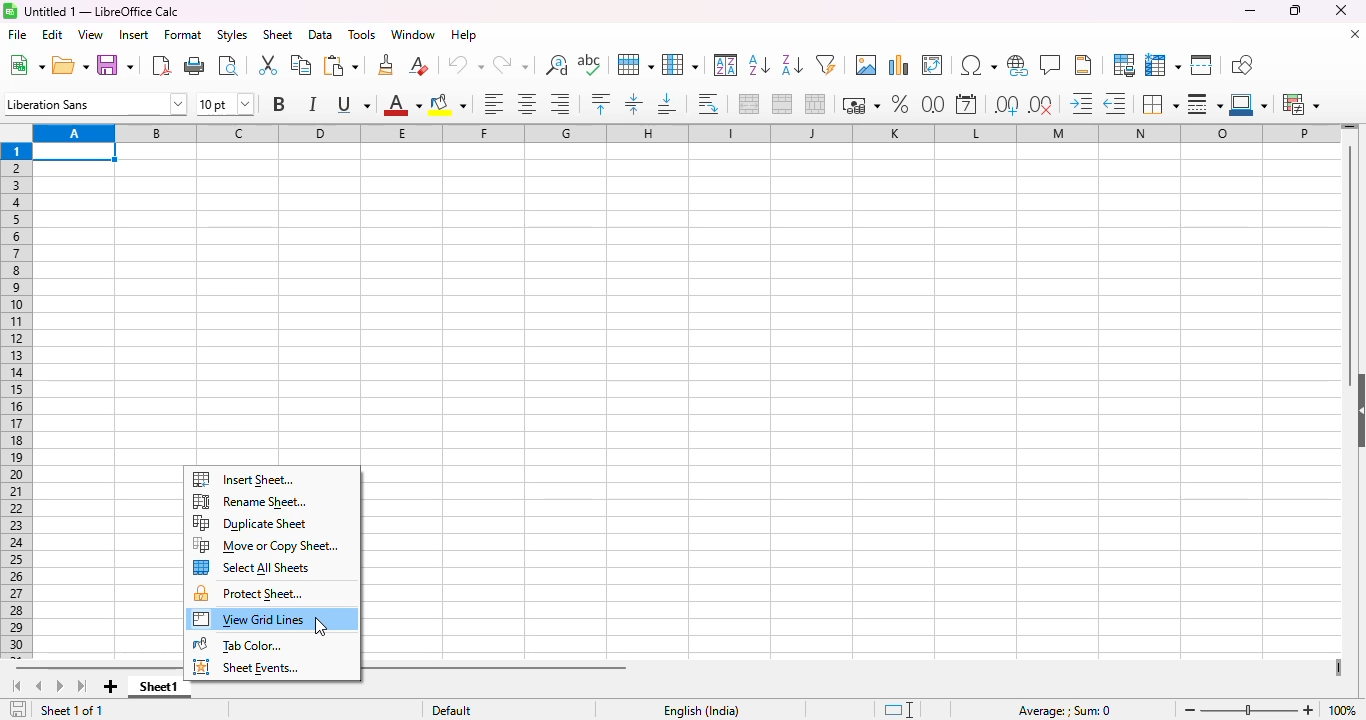  Describe the element at coordinates (1042, 104) in the screenshot. I see `delete decimal` at that location.